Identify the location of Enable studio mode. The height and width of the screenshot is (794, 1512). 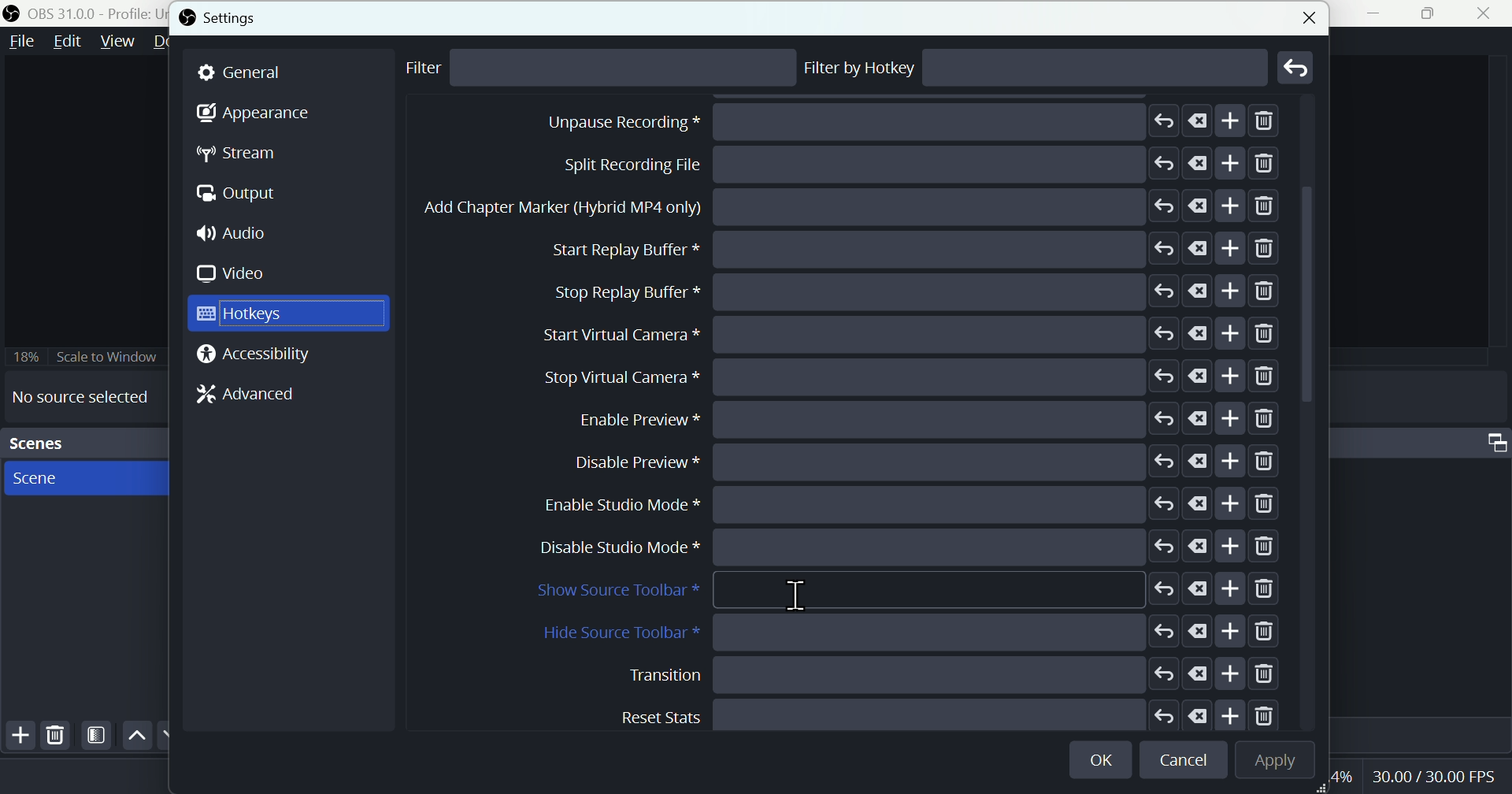
(917, 713).